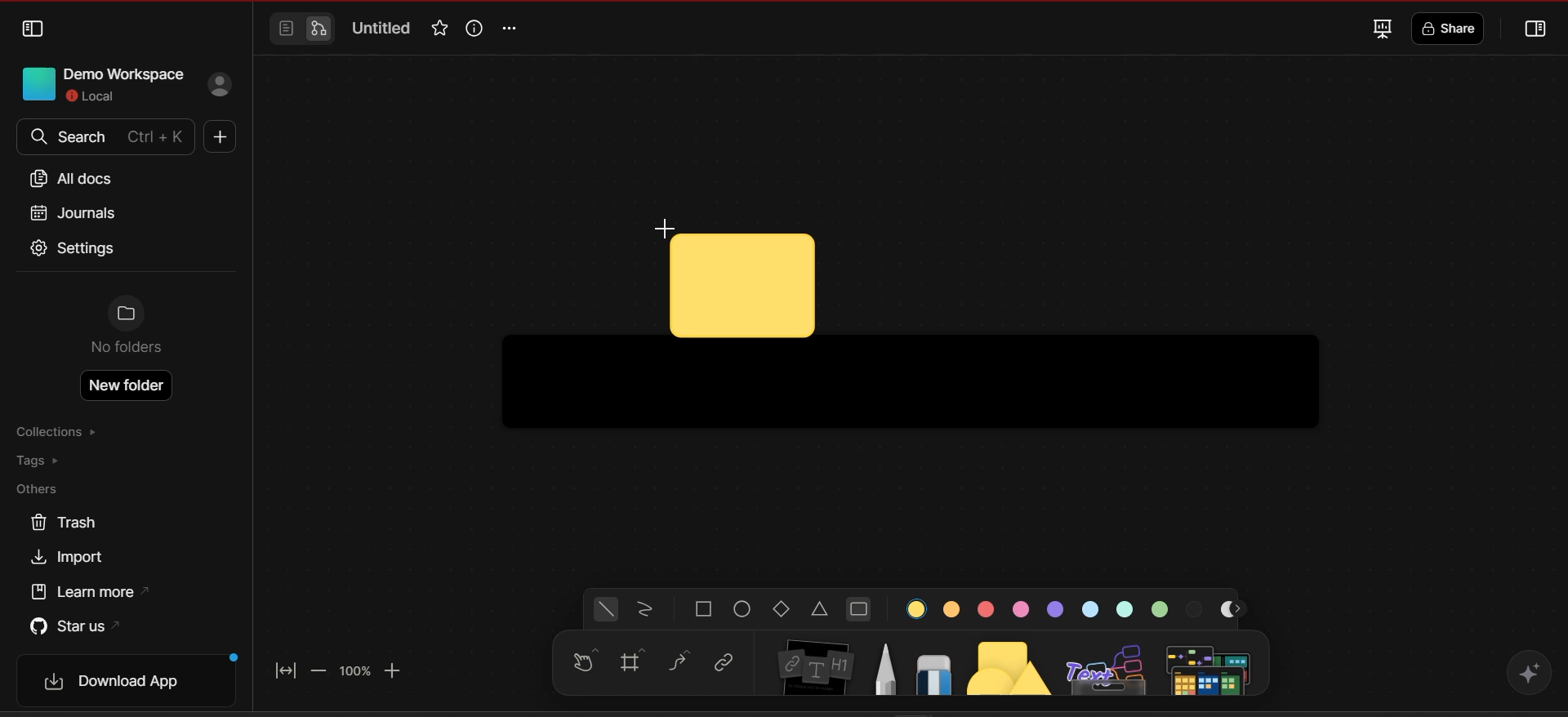 This screenshot has height=717, width=1568. I want to click on cursor and shape current location, so click(736, 280).